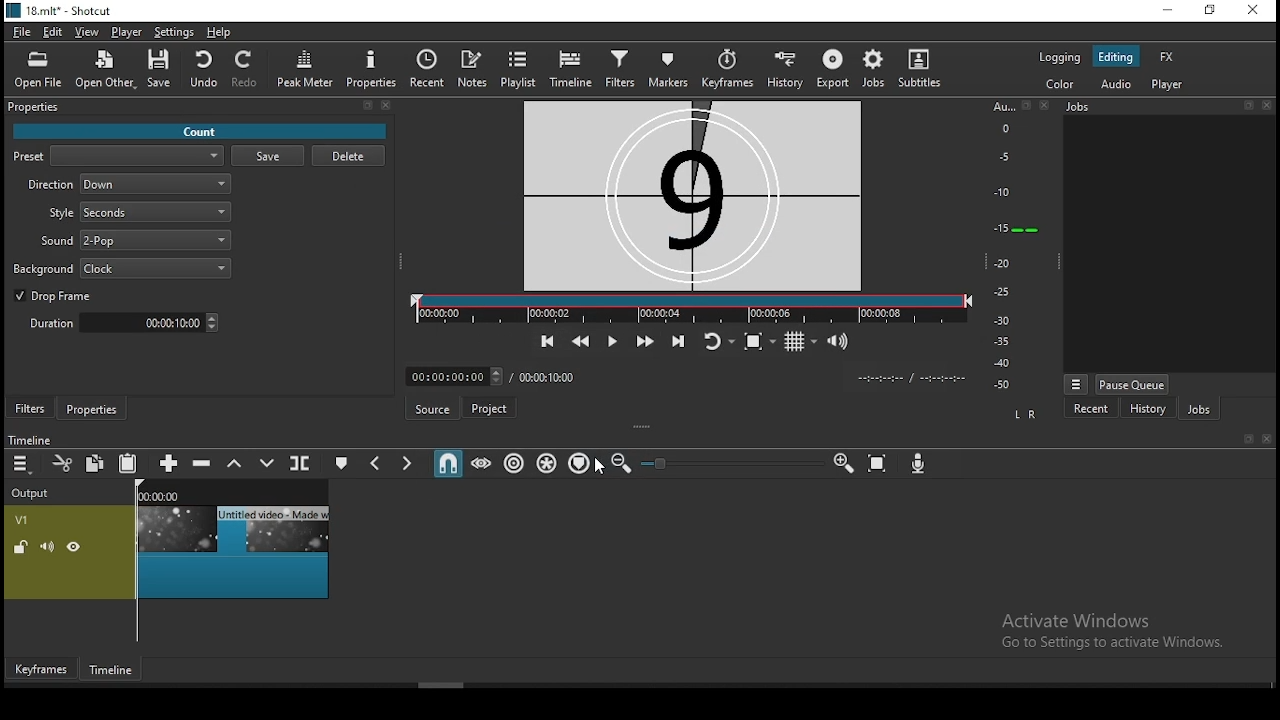 The height and width of the screenshot is (720, 1280). Describe the element at coordinates (547, 341) in the screenshot. I see `skip to previous point` at that location.